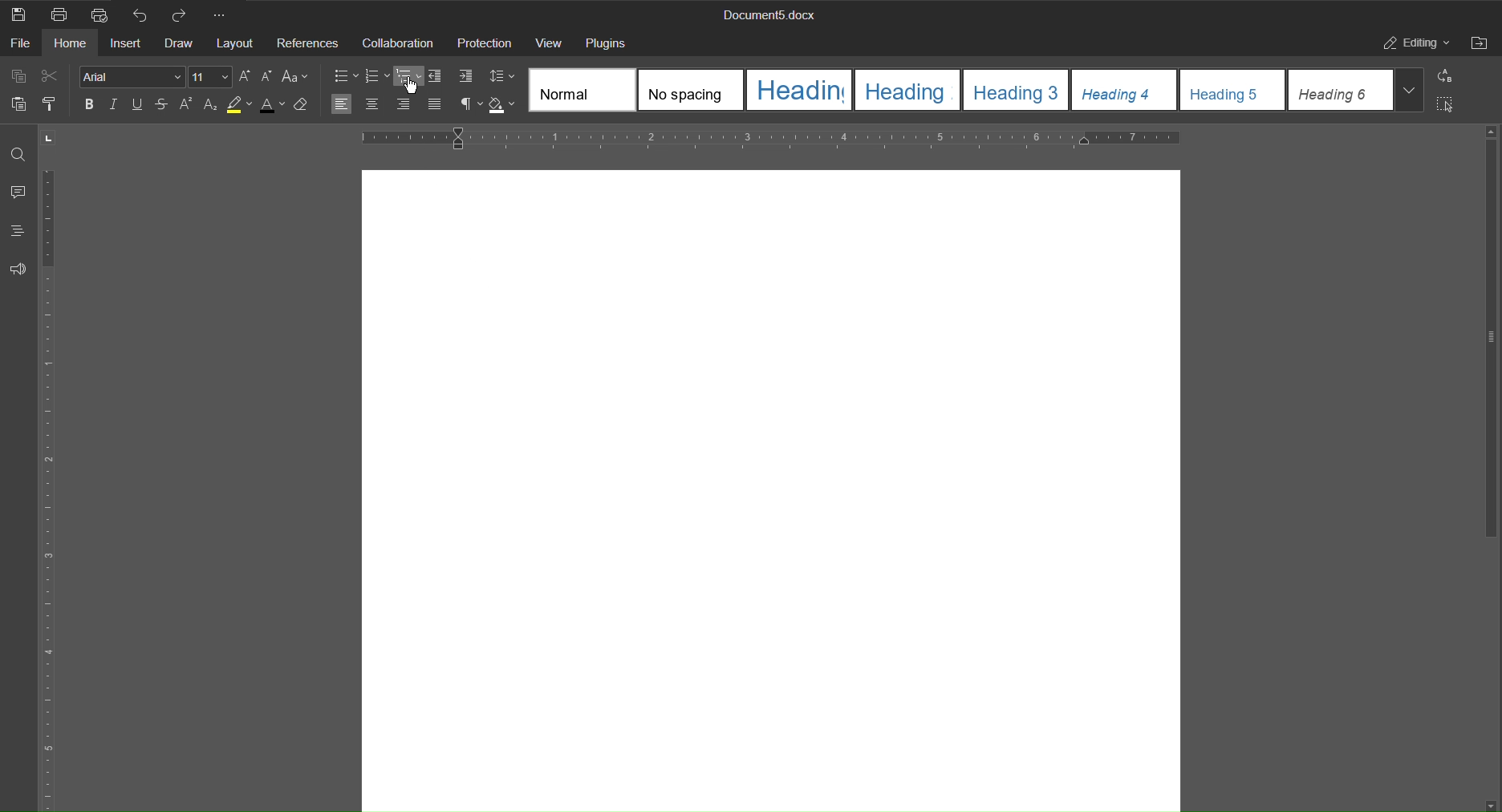  Describe the element at coordinates (503, 104) in the screenshot. I see `Shadow` at that location.